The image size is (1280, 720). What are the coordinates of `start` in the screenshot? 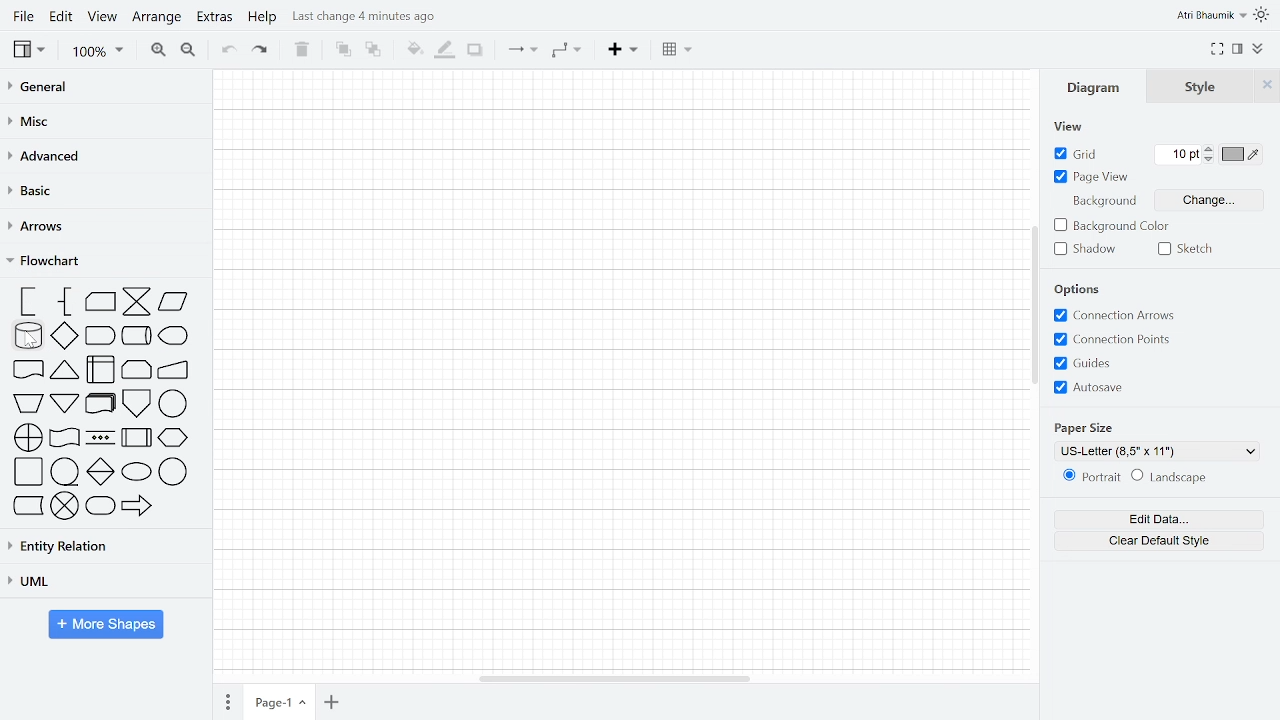 It's located at (136, 472).